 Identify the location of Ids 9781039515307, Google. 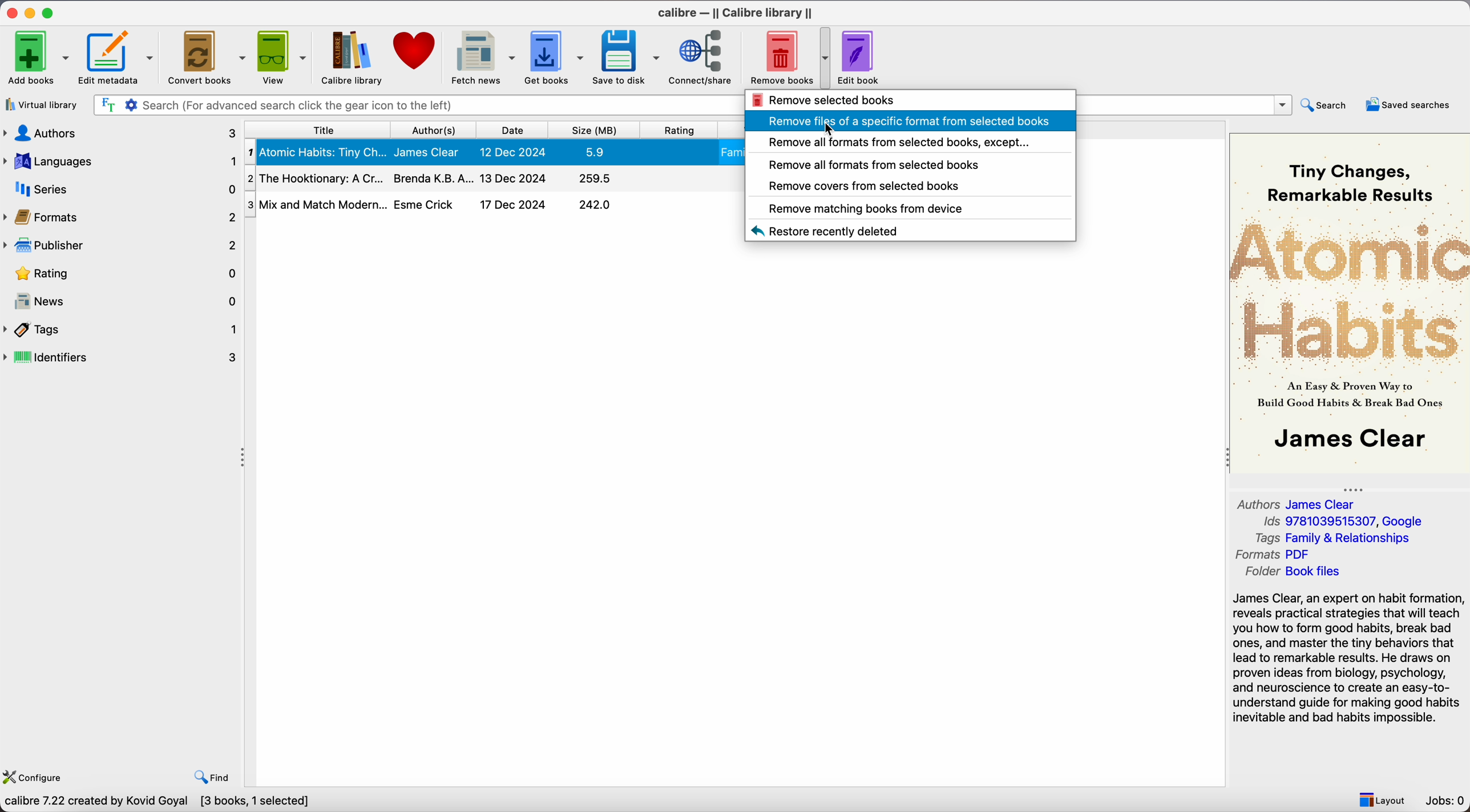
(1339, 522).